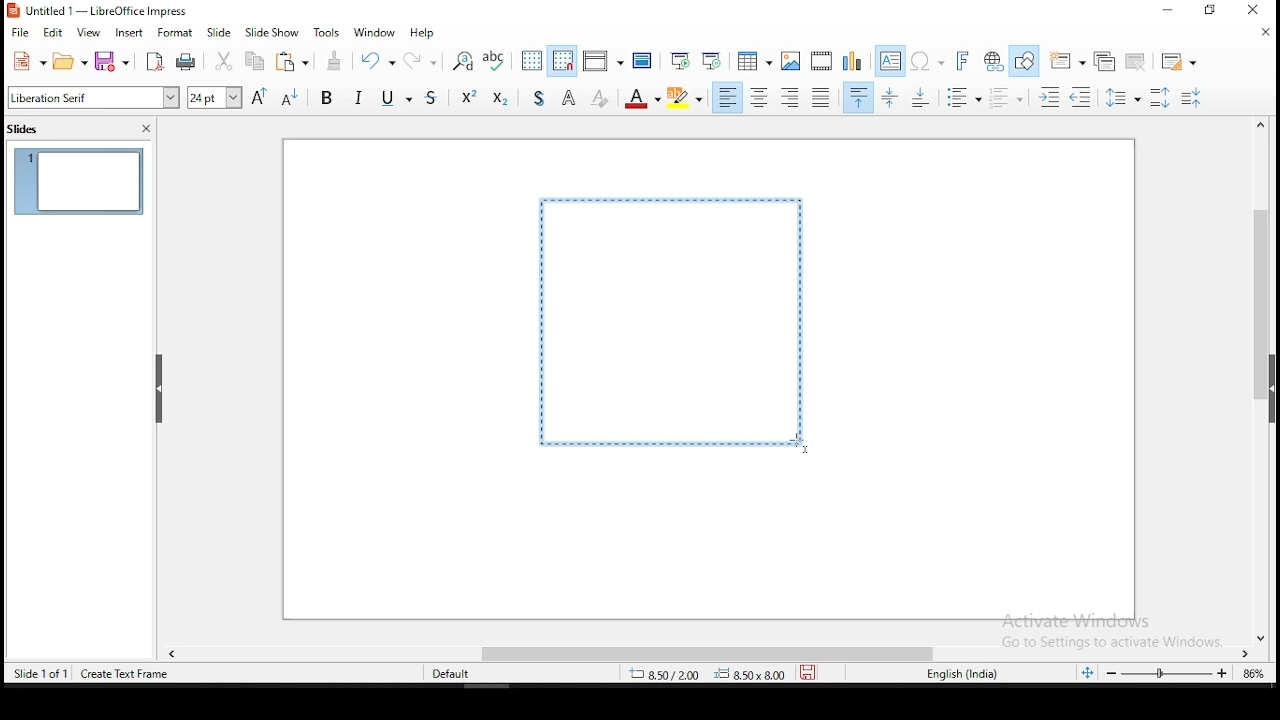  Describe the element at coordinates (1166, 12) in the screenshot. I see `minimize` at that location.